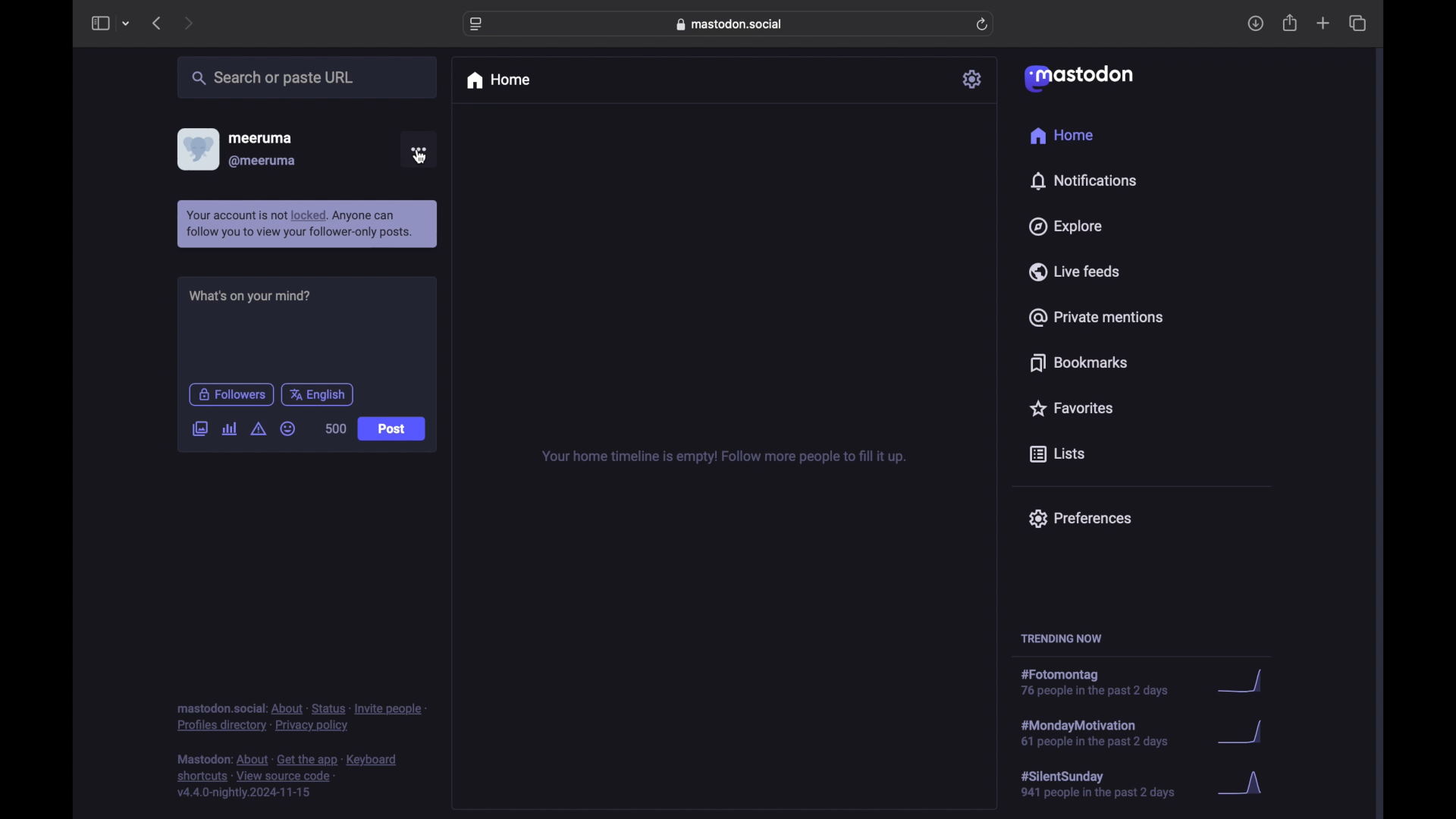 Image resolution: width=1456 pixels, height=819 pixels. I want to click on mastodon , so click(1078, 79).